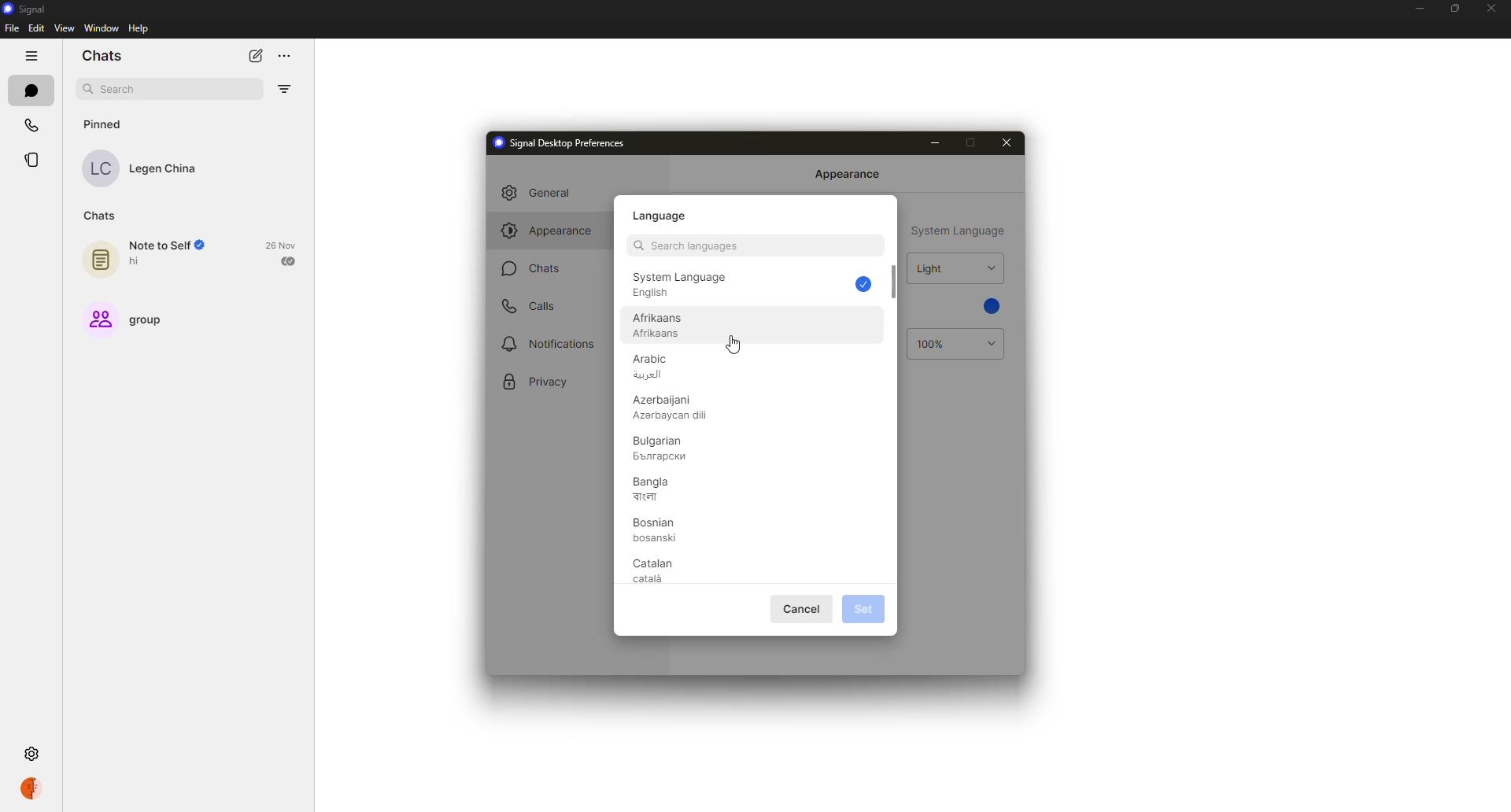  Describe the element at coordinates (31, 90) in the screenshot. I see `chats` at that location.